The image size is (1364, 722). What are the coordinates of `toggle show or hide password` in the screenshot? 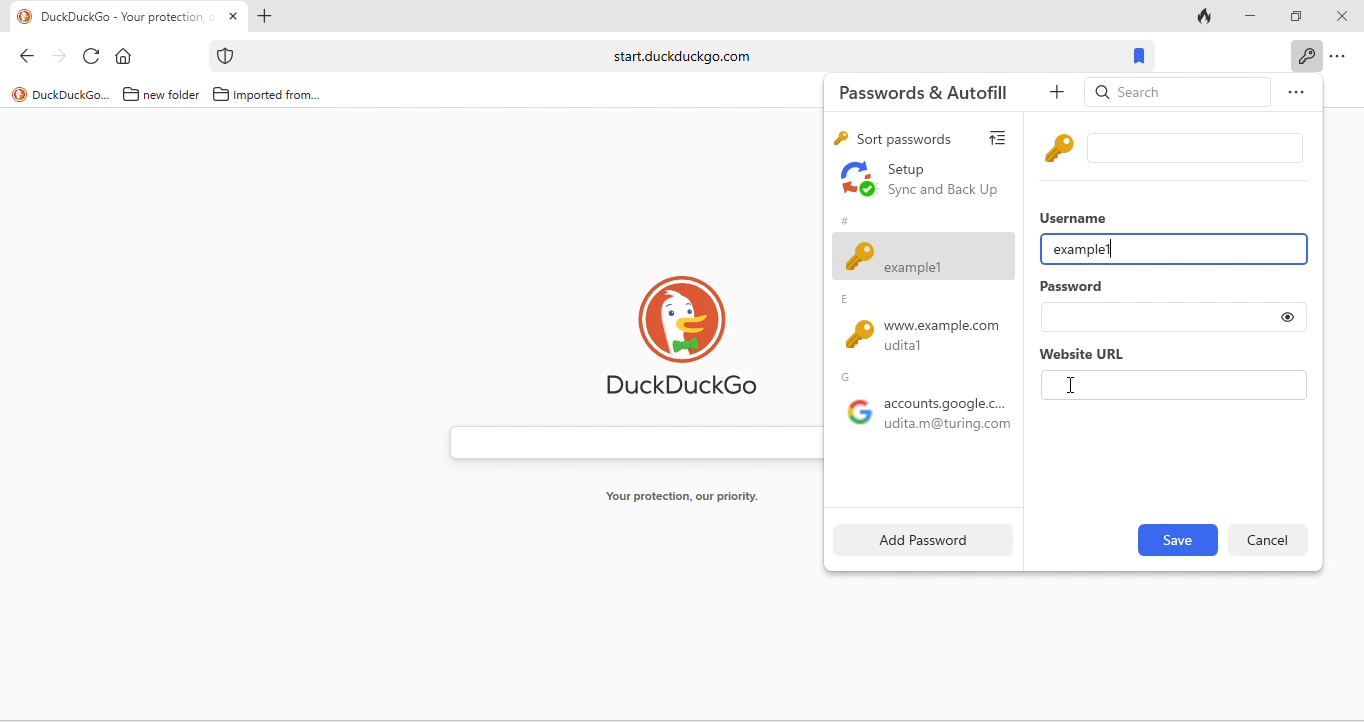 It's located at (1288, 317).